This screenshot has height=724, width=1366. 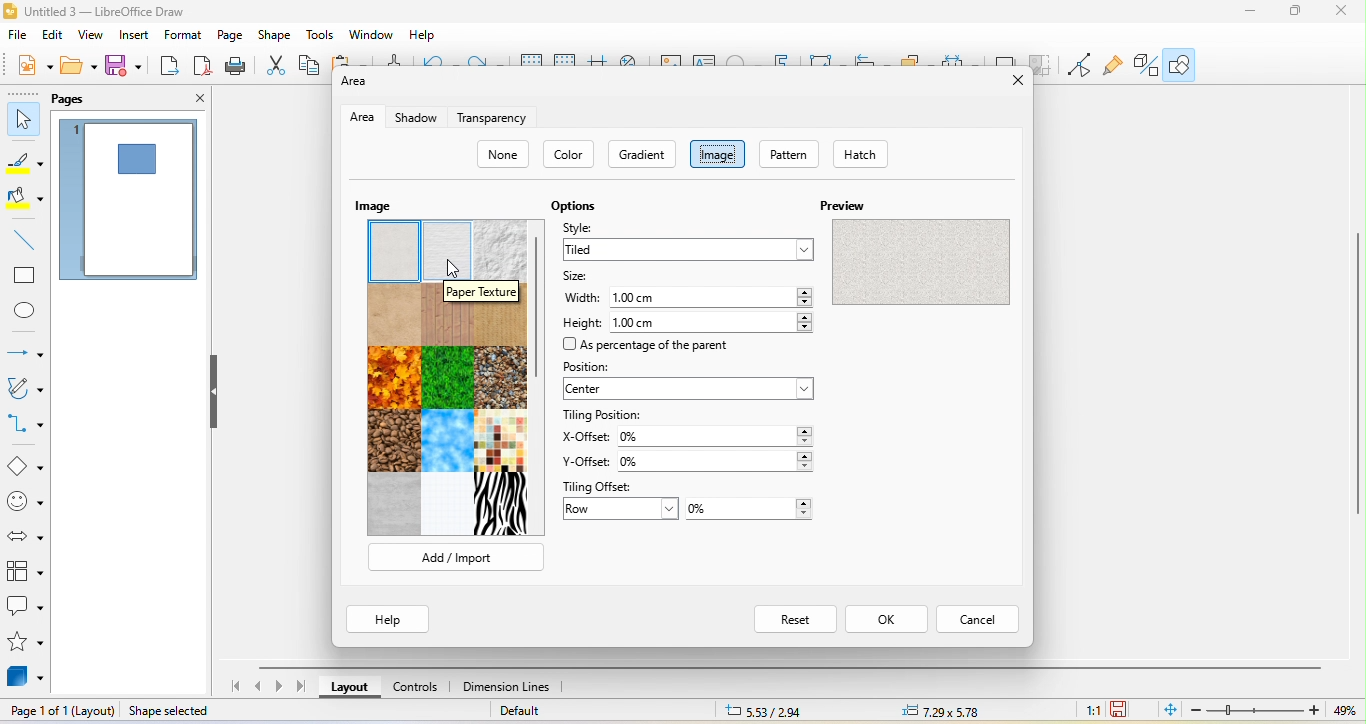 I want to click on transformation, so click(x=829, y=59).